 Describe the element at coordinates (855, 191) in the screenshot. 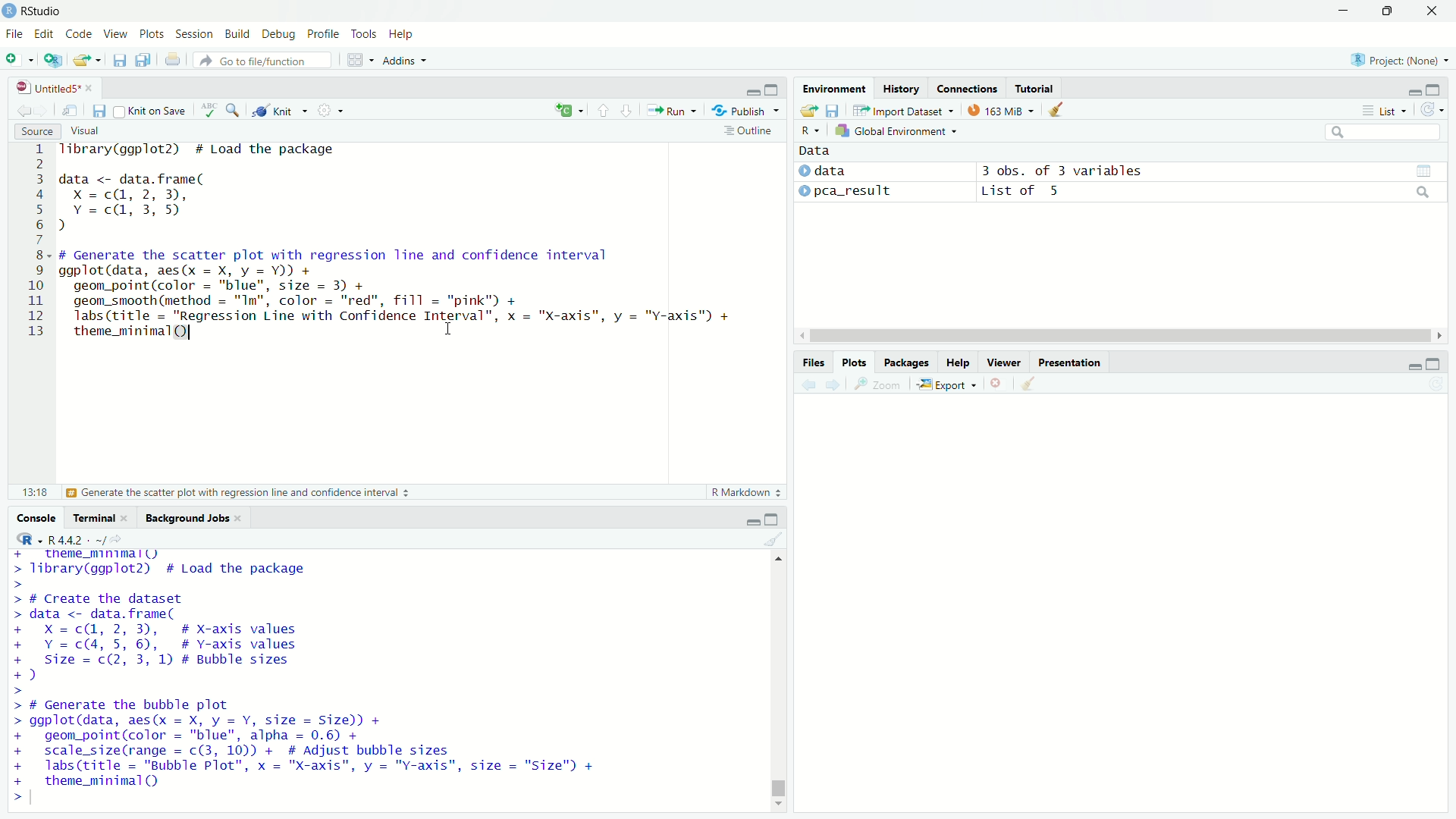

I see `pca_result` at that location.